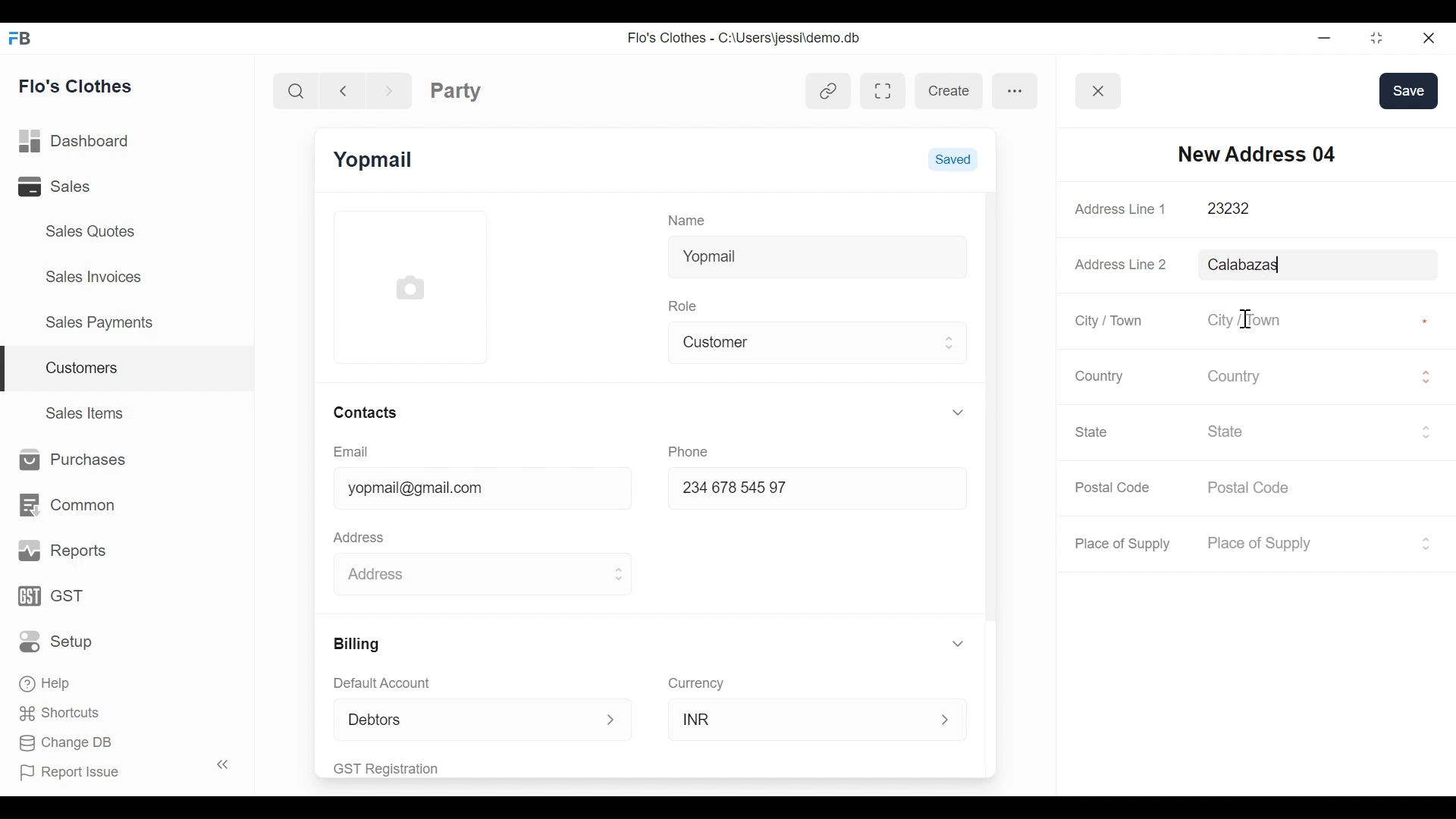 The height and width of the screenshot is (819, 1456). What do you see at coordinates (817, 254) in the screenshot?
I see `Yopmail` at bounding box center [817, 254].